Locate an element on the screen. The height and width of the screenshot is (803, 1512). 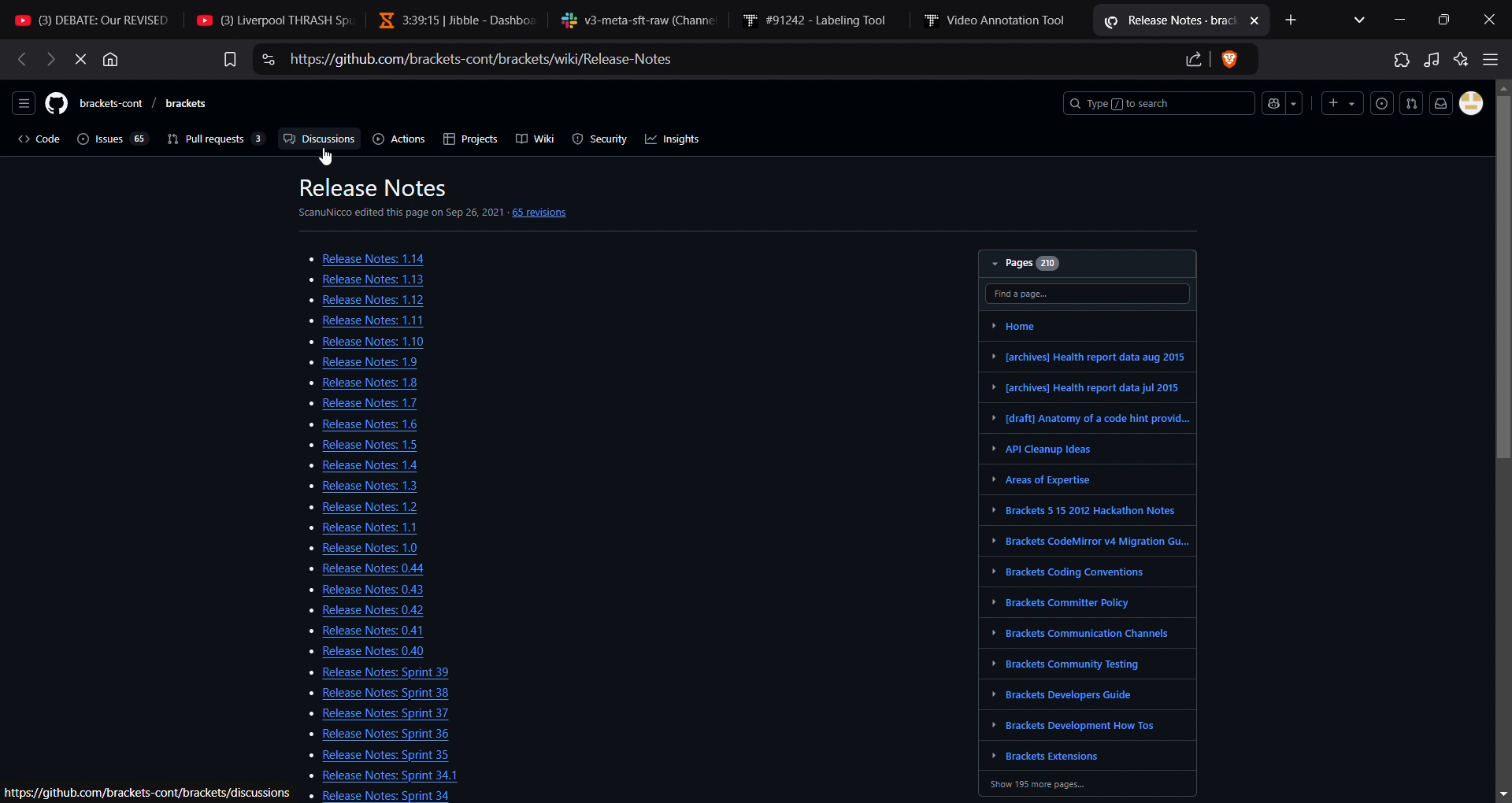
Create New is located at coordinates (1345, 101).